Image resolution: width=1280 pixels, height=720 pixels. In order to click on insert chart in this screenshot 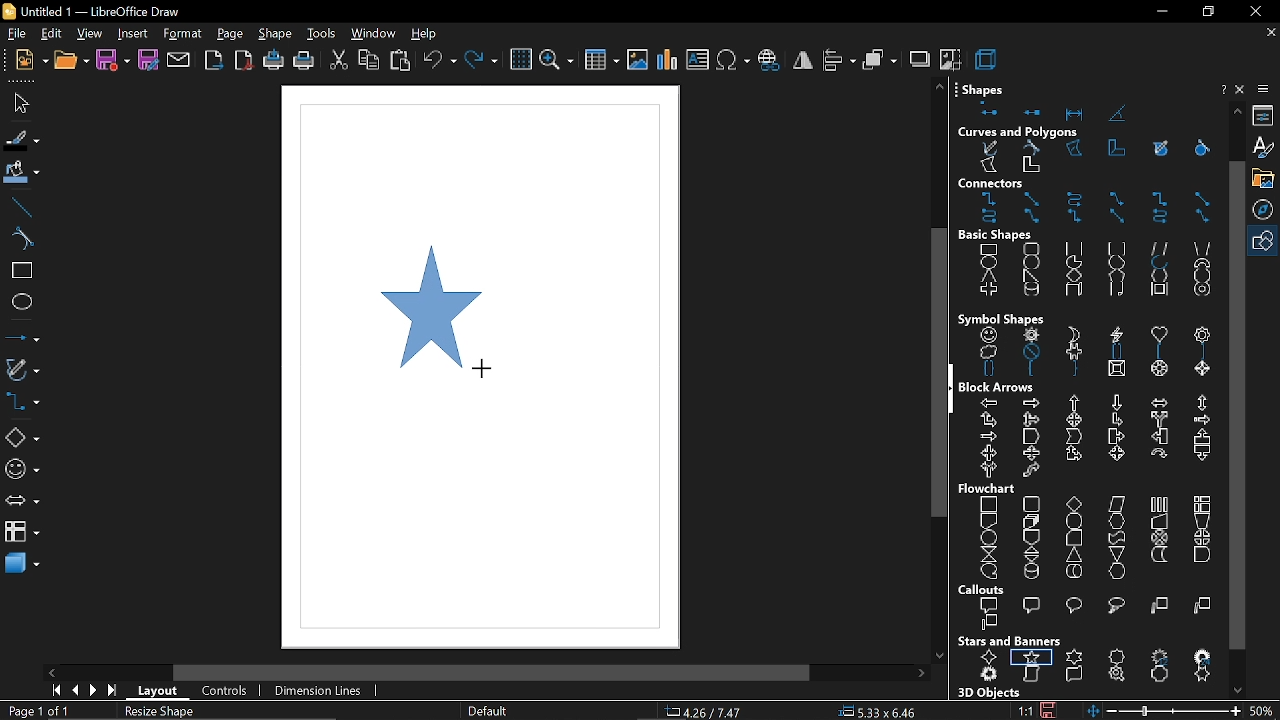, I will do `click(668, 60)`.